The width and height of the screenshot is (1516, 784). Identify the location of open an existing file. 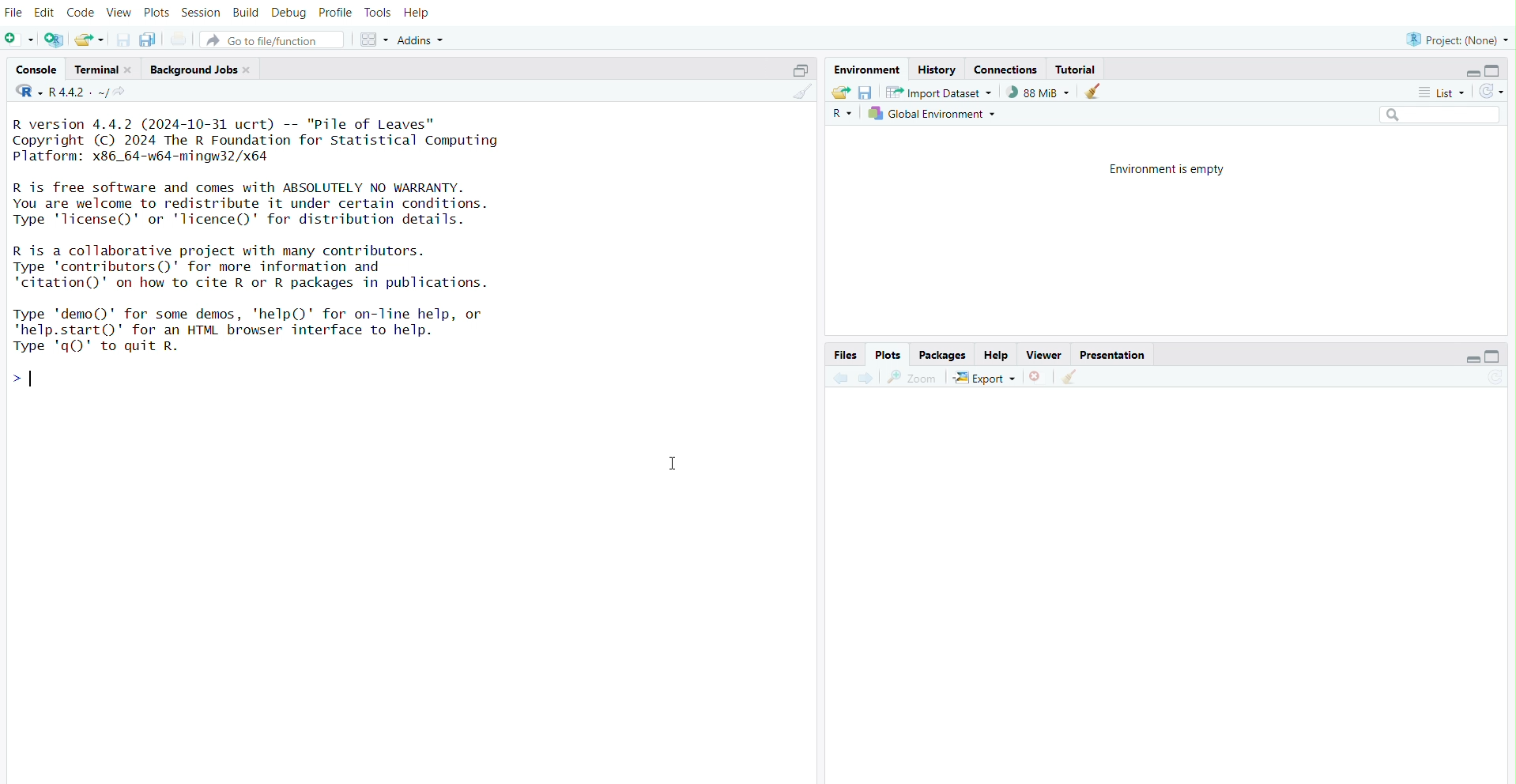
(88, 39).